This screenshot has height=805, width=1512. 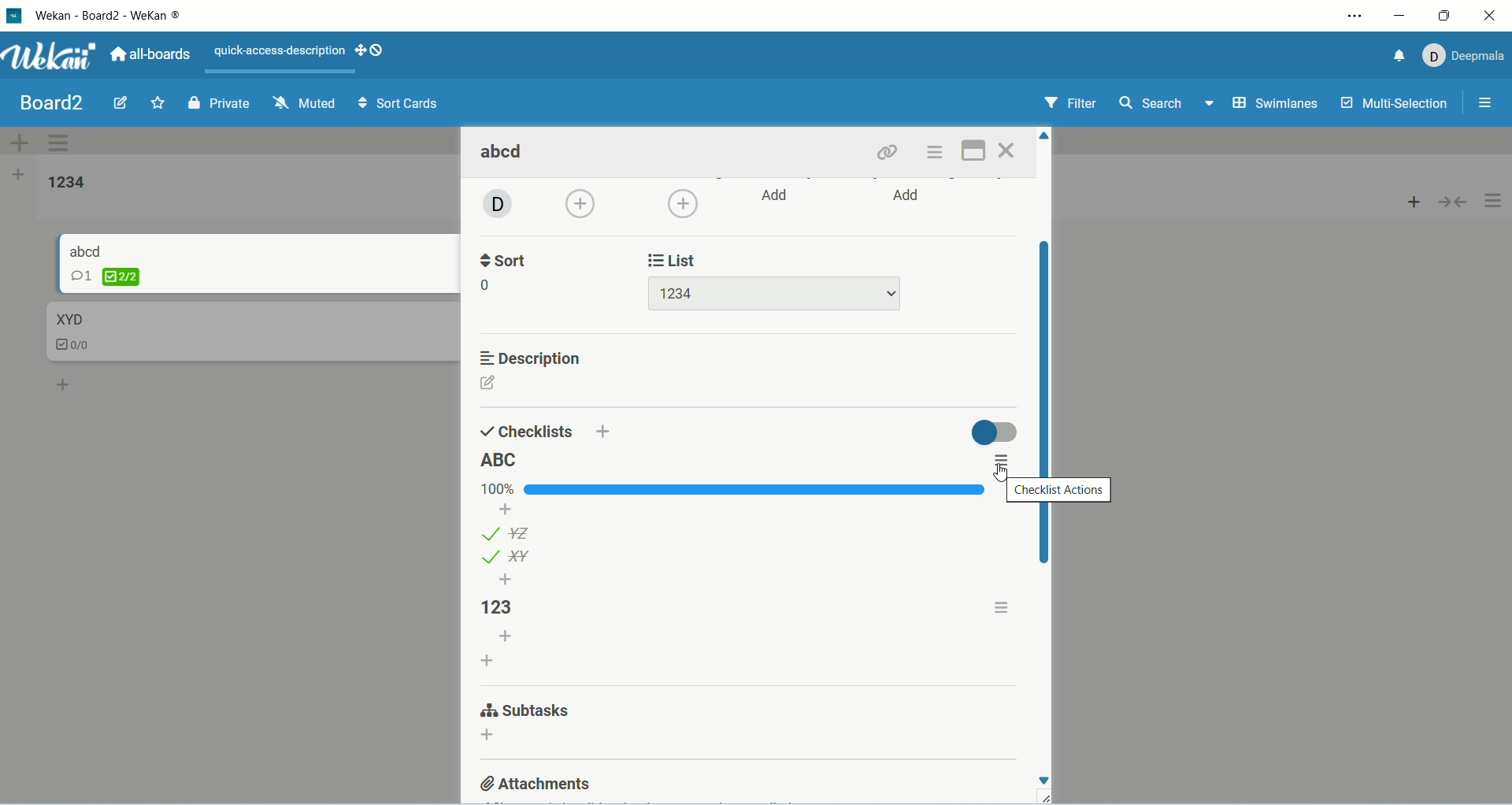 What do you see at coordinates (1044, 781) in the screenshot?
I see `scroll down` at bounding box center [1044, 781].